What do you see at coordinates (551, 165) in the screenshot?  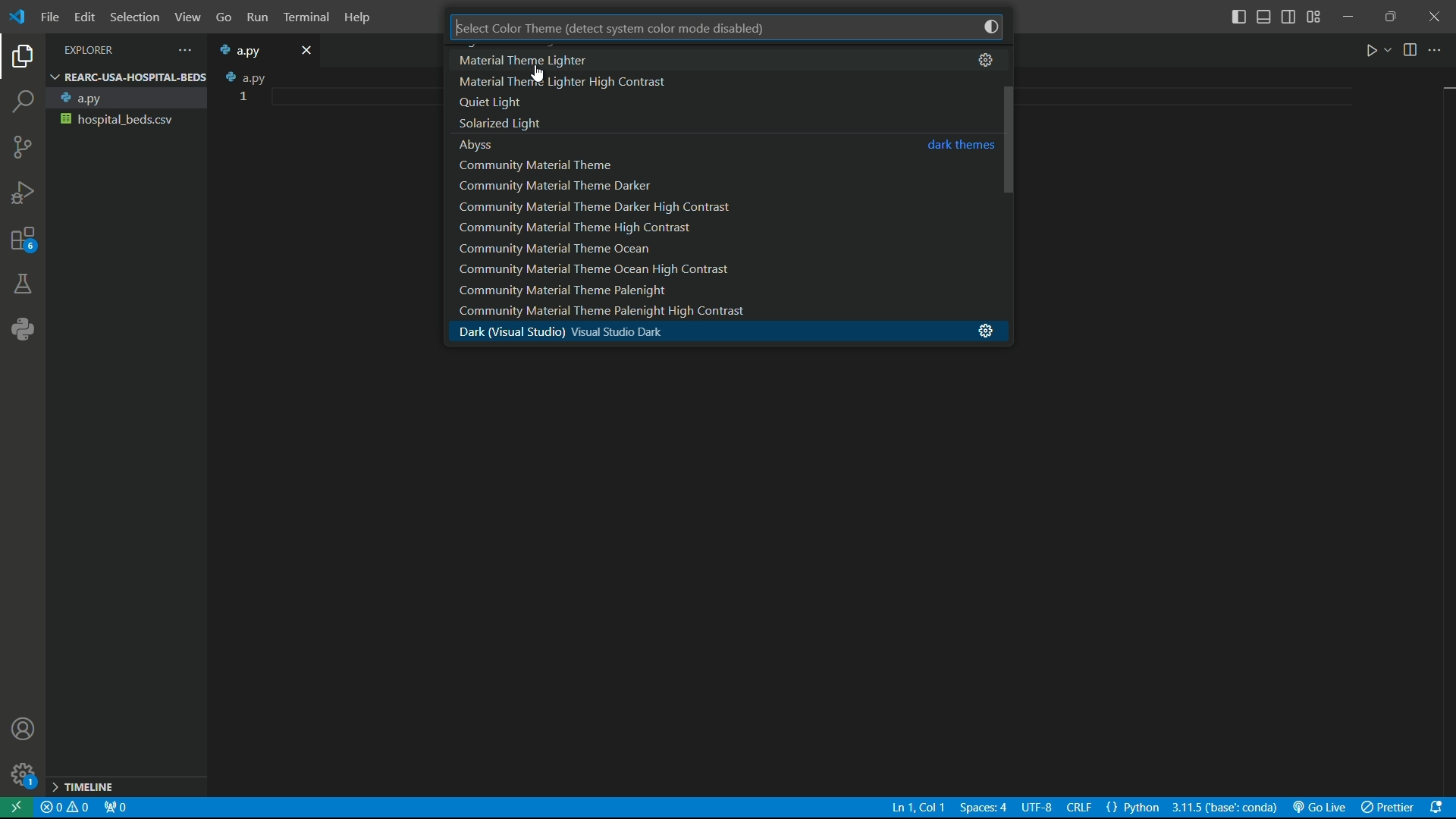 I see `Community Material Theme` at bounding box center [551, 165].